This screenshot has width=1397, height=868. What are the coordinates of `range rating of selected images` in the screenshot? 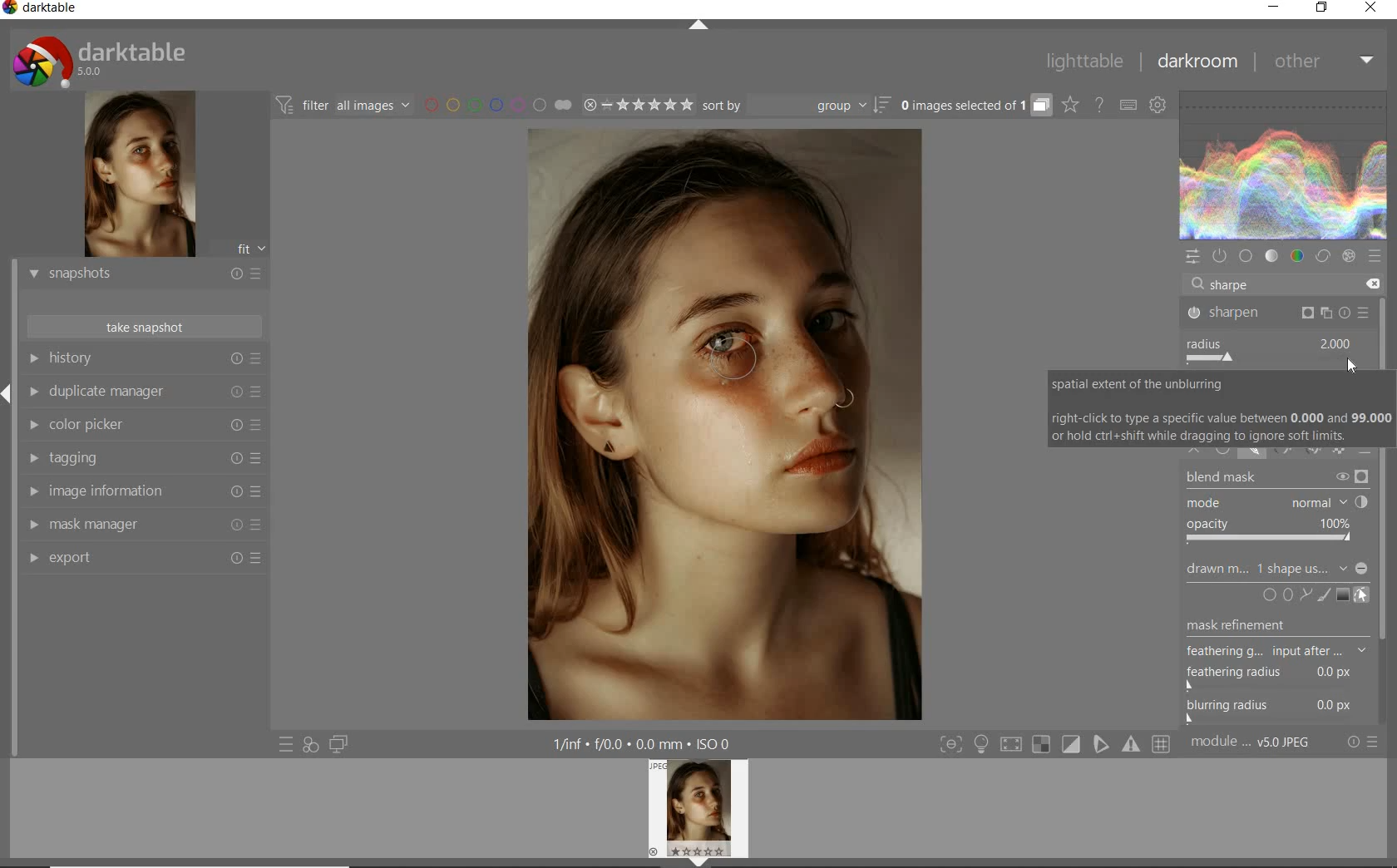 It's located at (637, 106).